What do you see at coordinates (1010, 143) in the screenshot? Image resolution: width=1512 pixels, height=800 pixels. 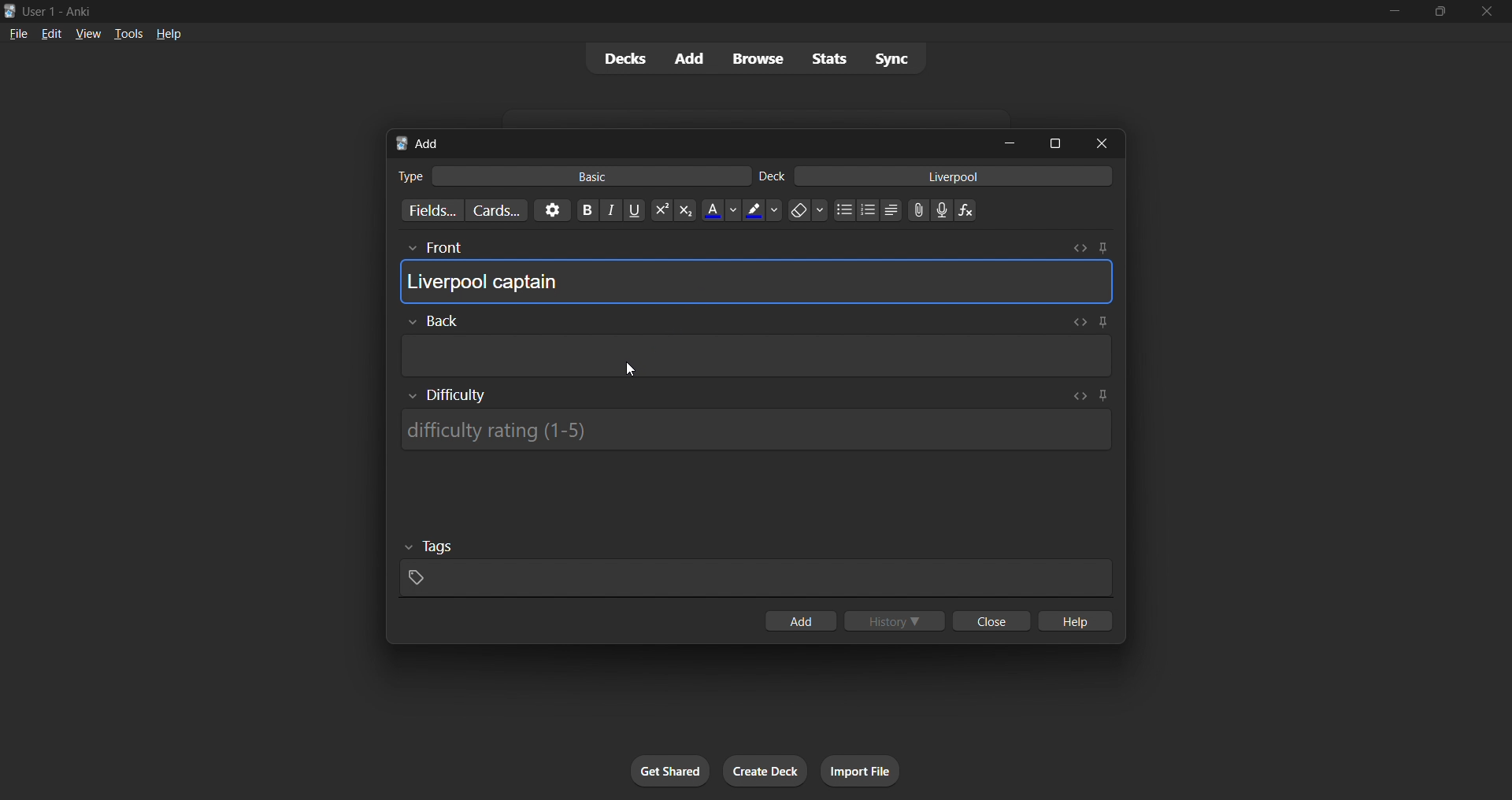 I see `minimize` at bounding box center [1010, 143].